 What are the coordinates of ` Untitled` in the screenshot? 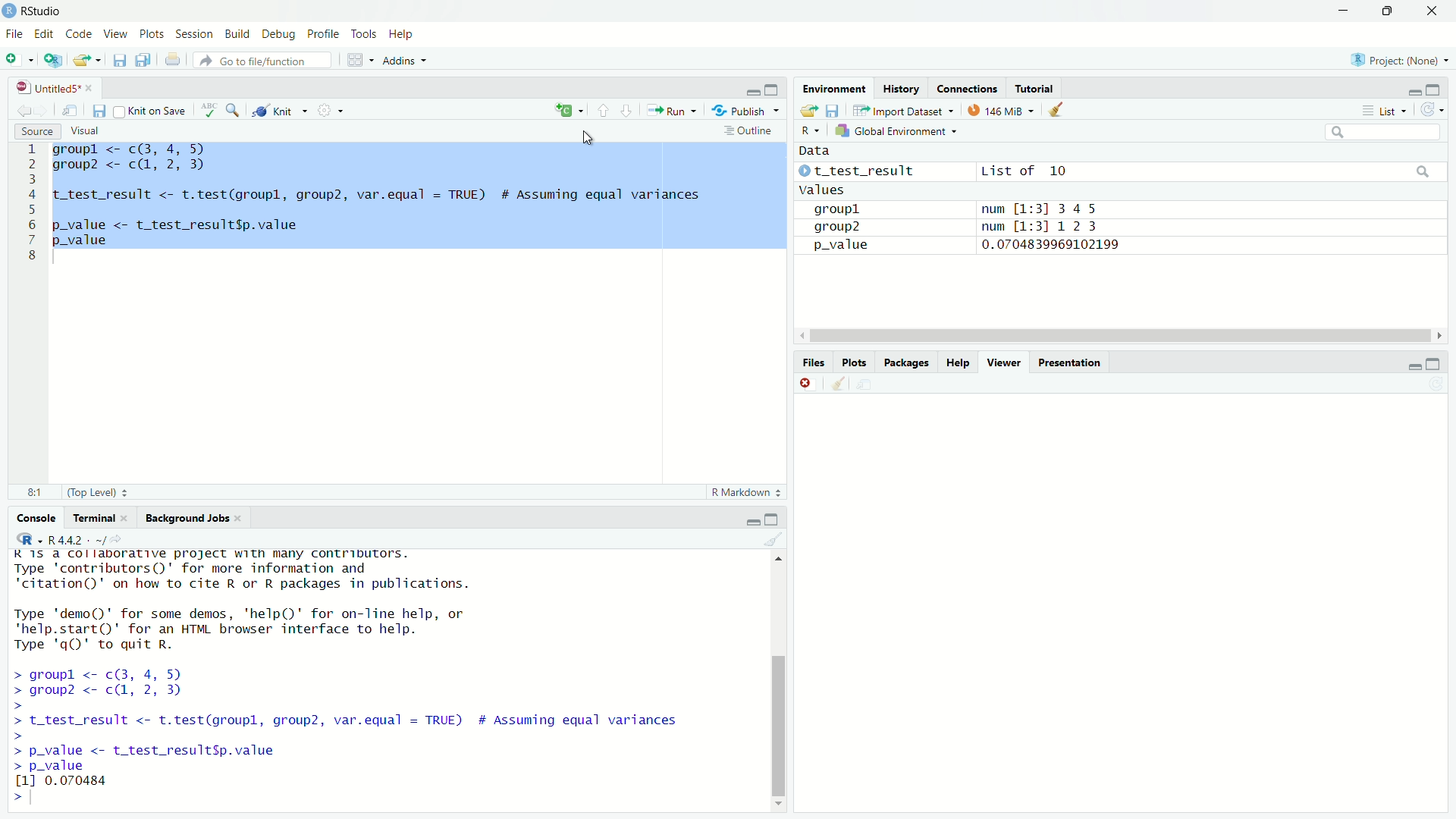 It's located at (54, 86).